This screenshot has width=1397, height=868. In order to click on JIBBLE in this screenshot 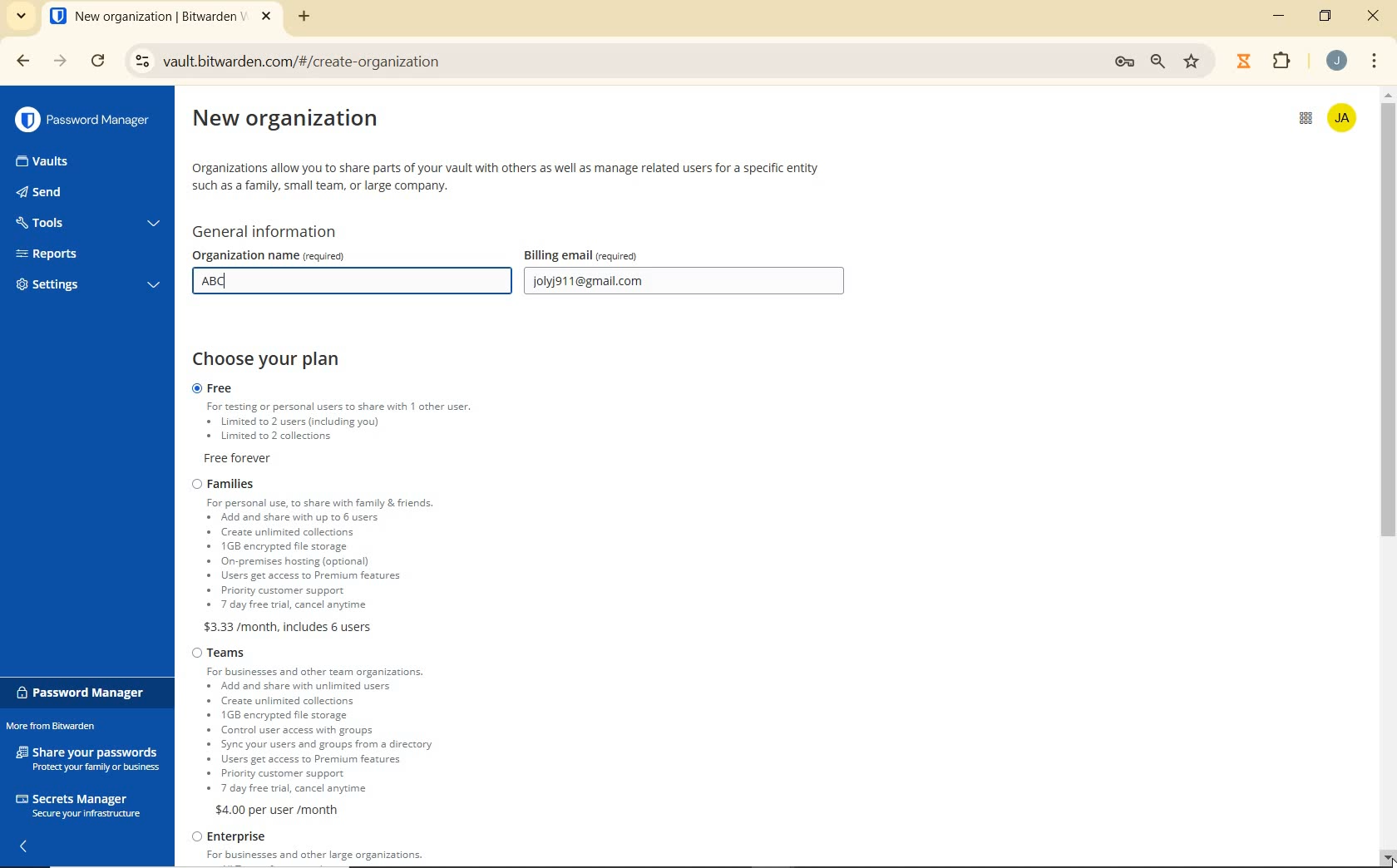, I will do `click(1243, 59)`.